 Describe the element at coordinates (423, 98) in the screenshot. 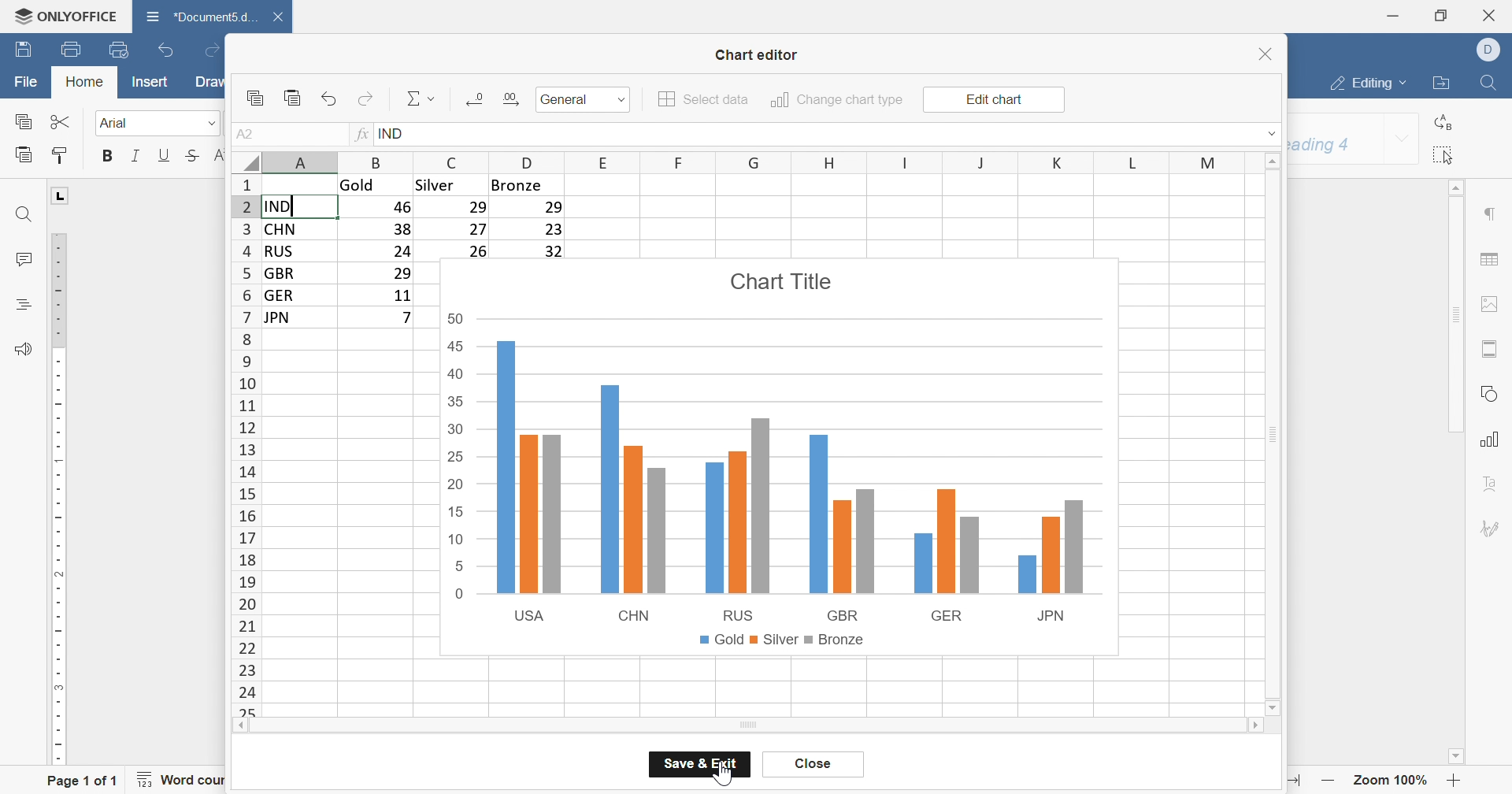

I see `Sum` at that location.